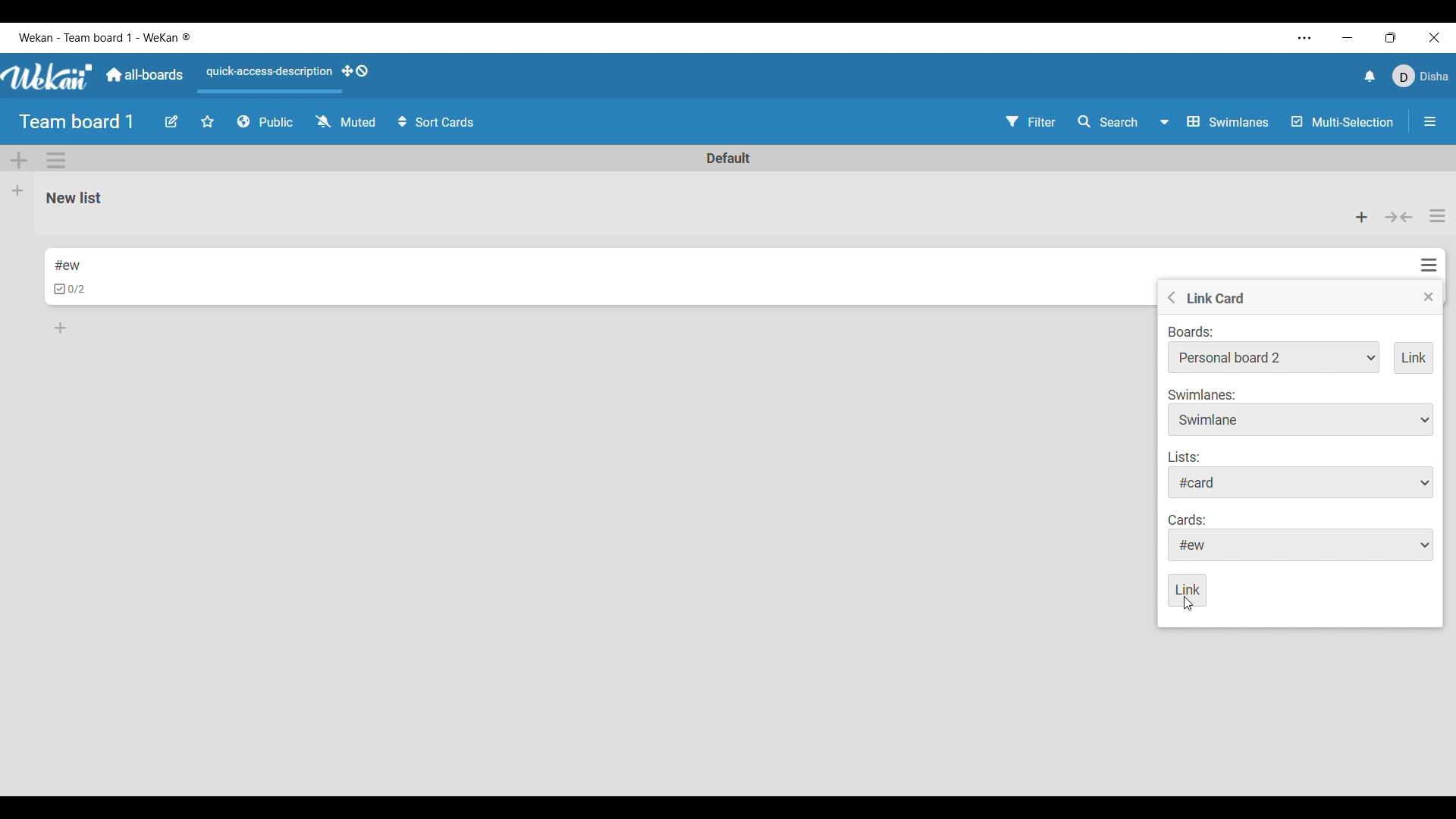 This screenshot has height=819, width=1456. Describe the element at coordinates (729, 158) in the screenshot. I see `Swimlane name` at that location.